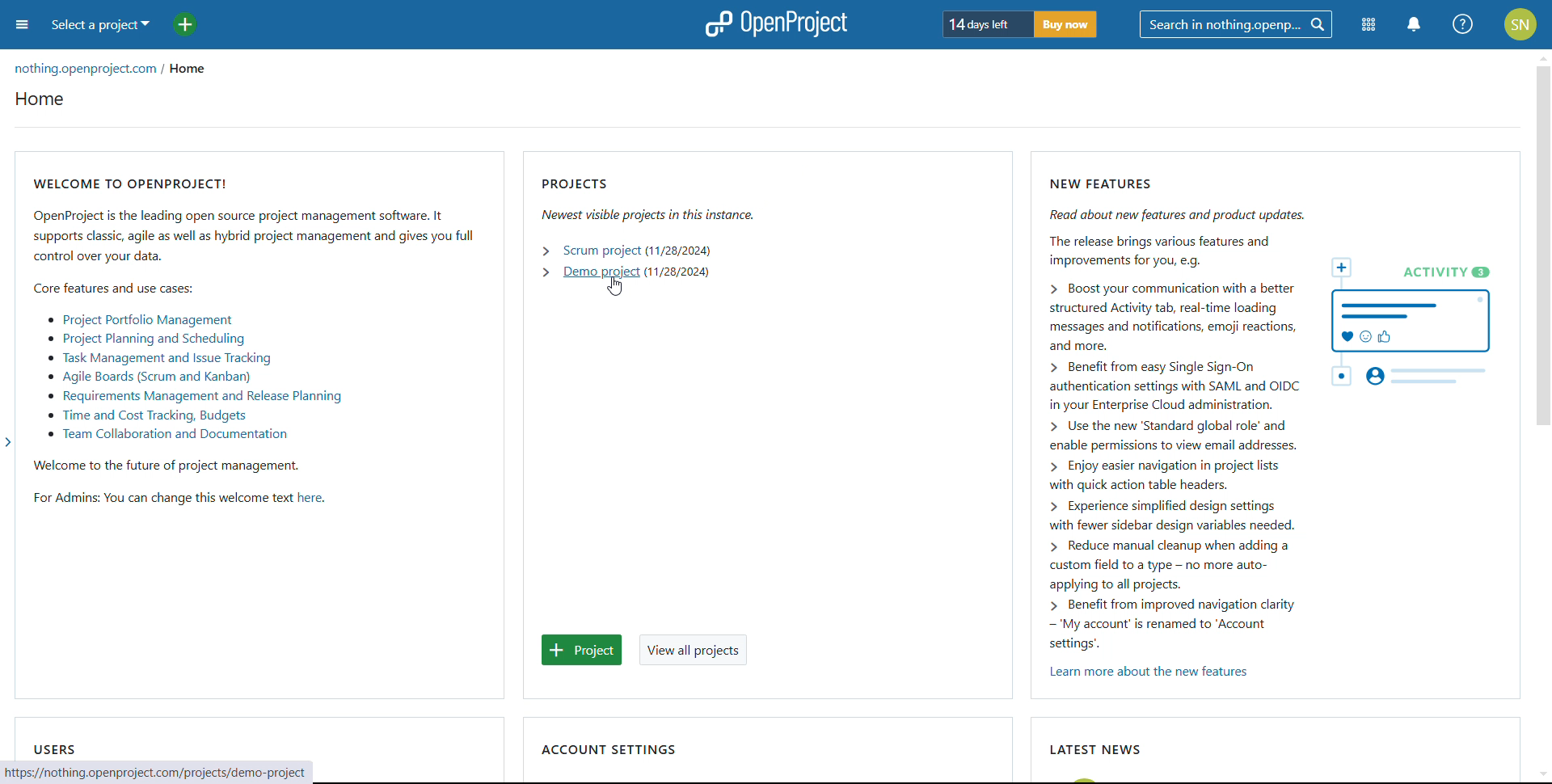  Describe the element at coordinates (9, 444) in the screenshot. I see `expand sidebar menu` at that location.